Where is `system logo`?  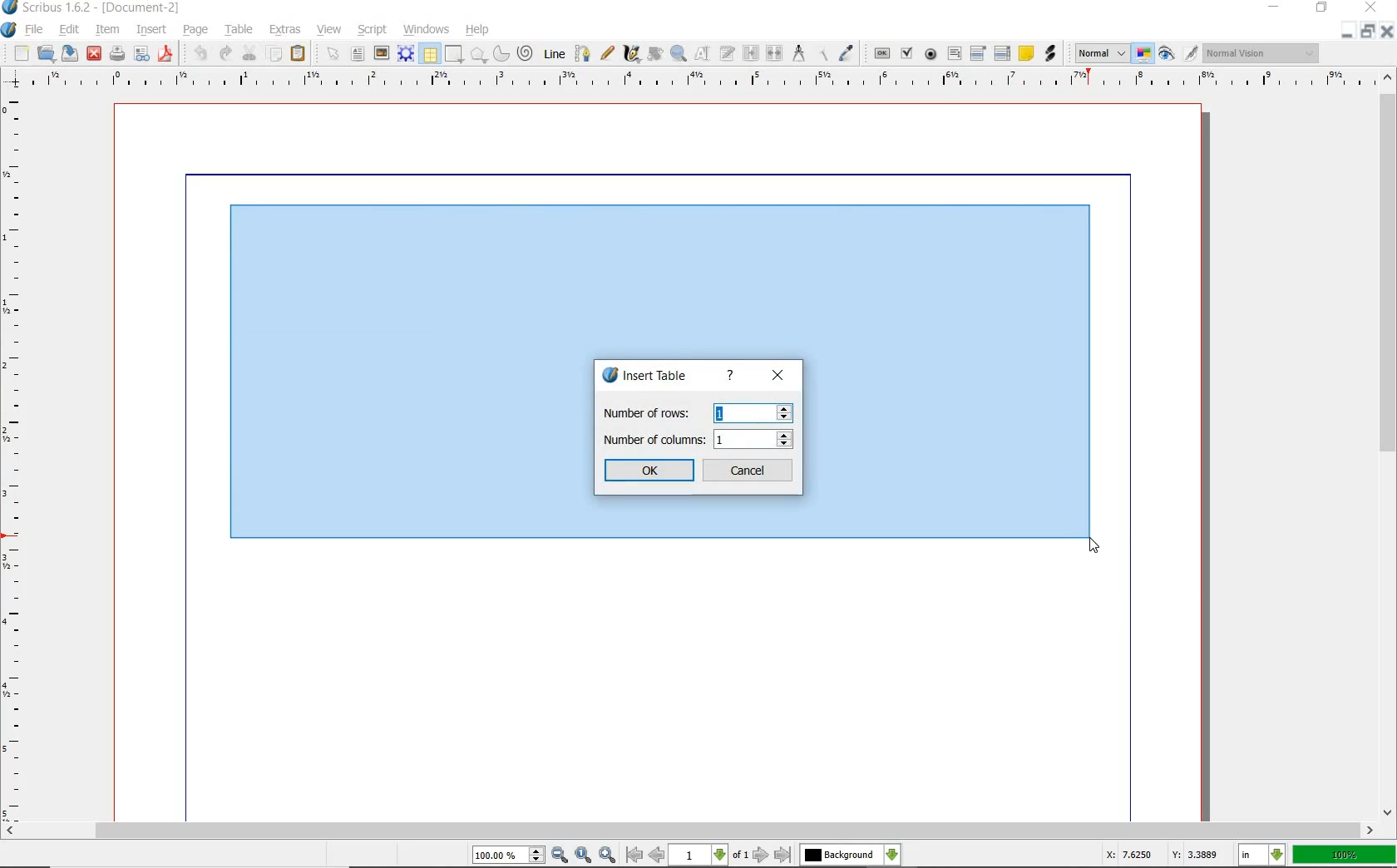
system logo is located at coordinates (11, 28).